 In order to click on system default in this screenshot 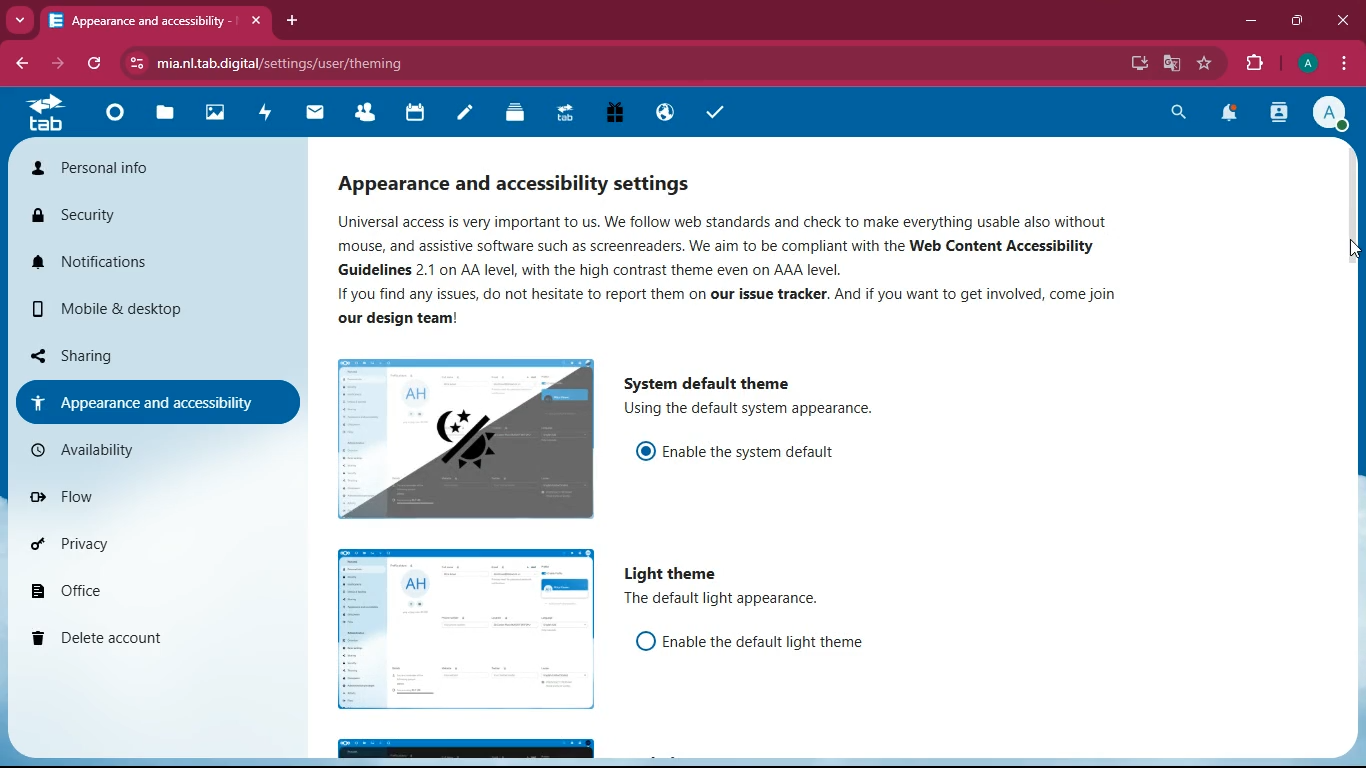, I will do `click(724, 380)`.